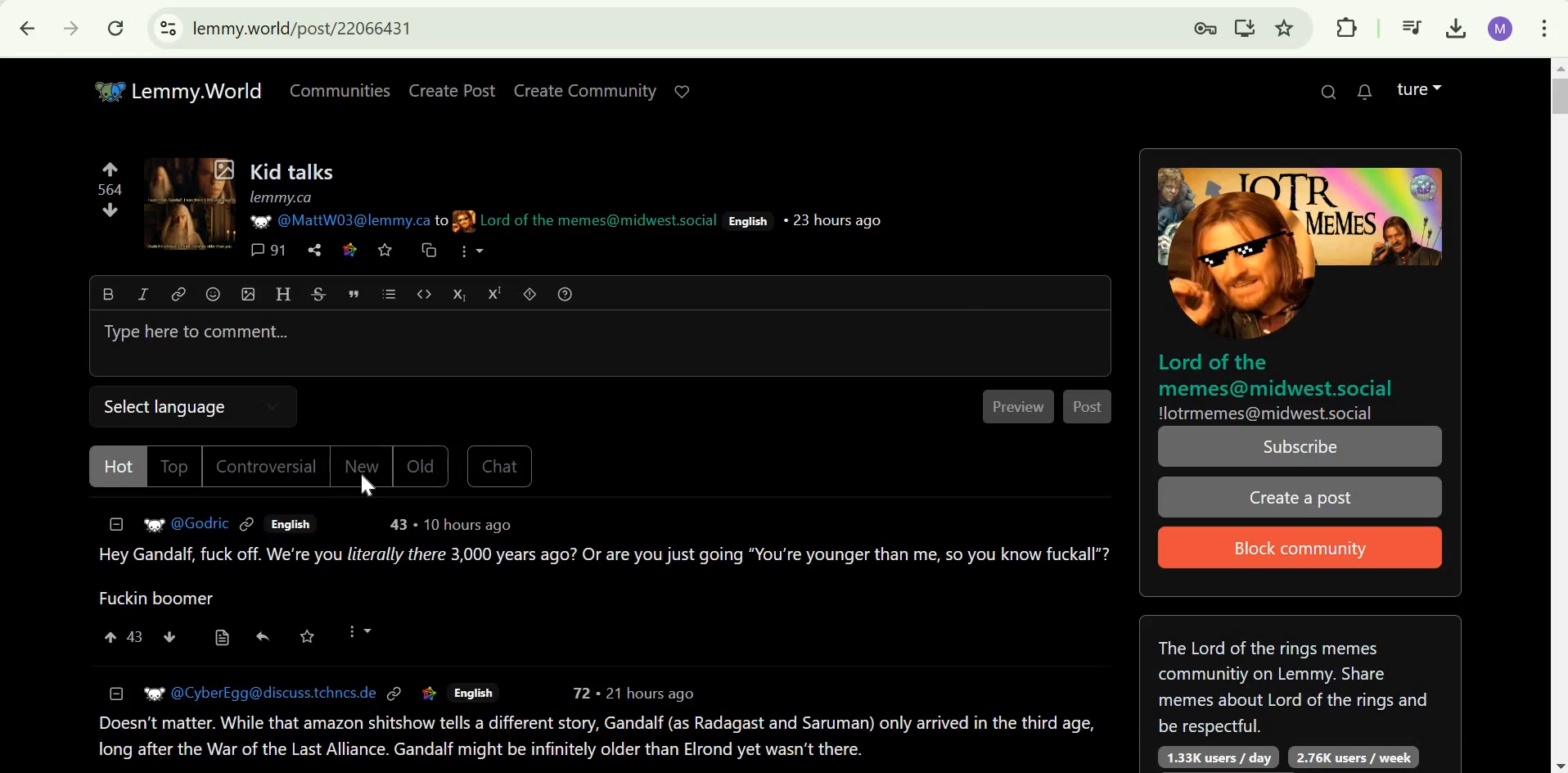 The height and width of the screenshot is (773, 1568). What do you see at coordinates (1327, 91) in the screenshot?
I see `Search` at bounding box center [1327, 91].